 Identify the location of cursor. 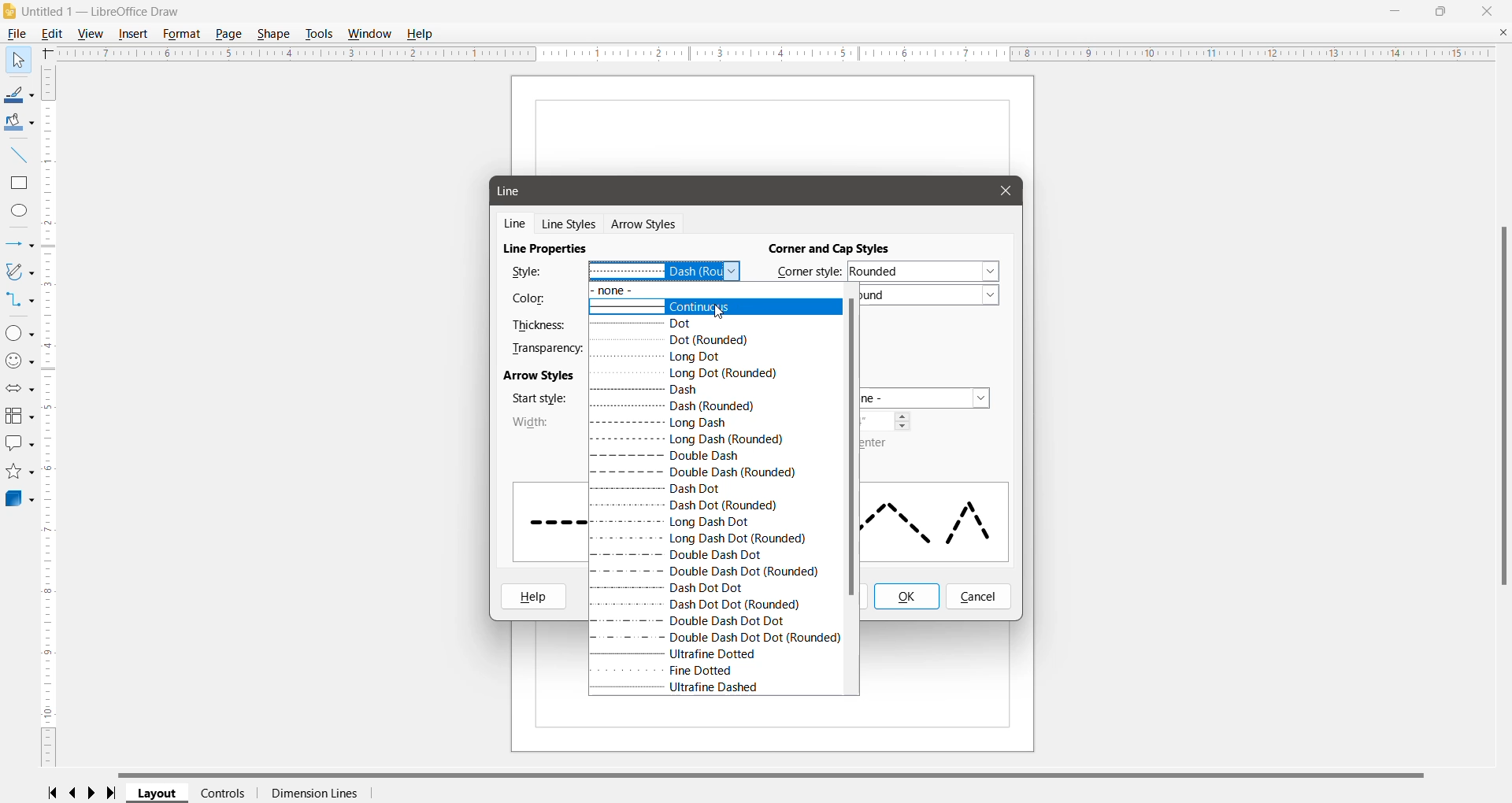
(715, 315).